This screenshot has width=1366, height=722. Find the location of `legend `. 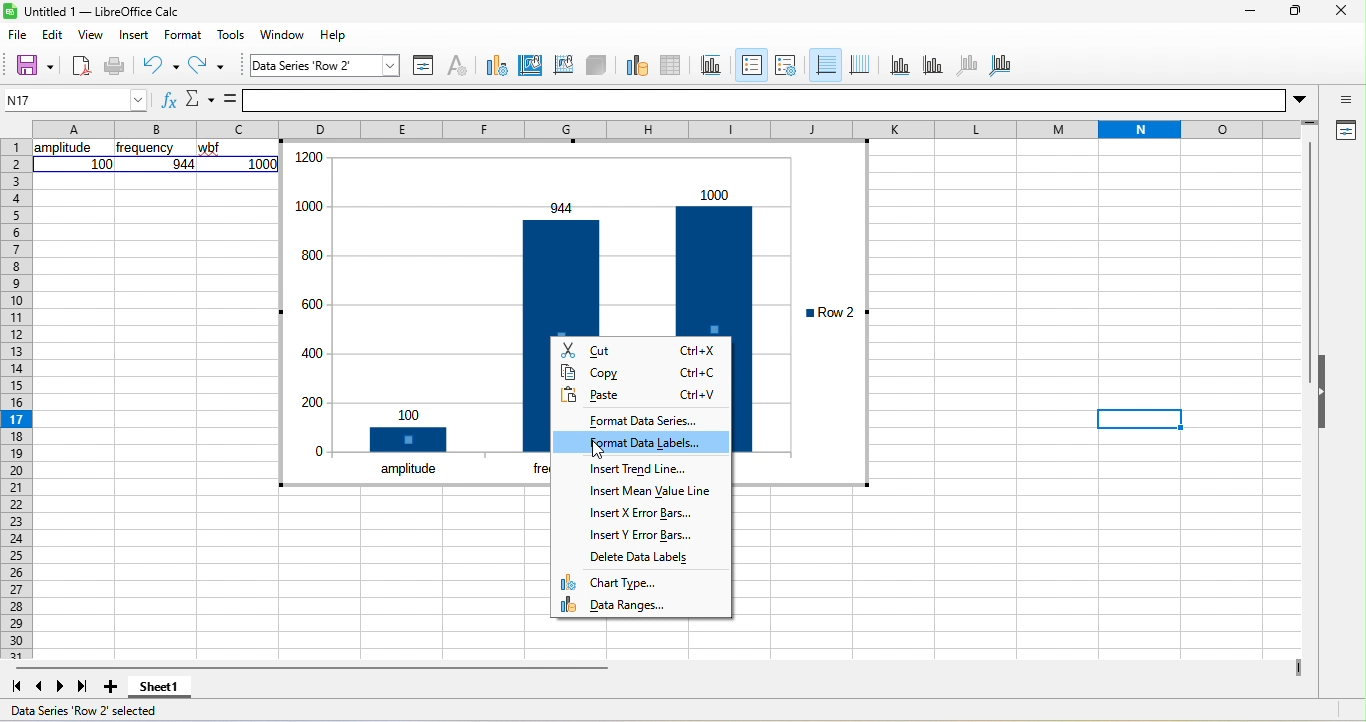

legend  is located at coordinates (787, 68).